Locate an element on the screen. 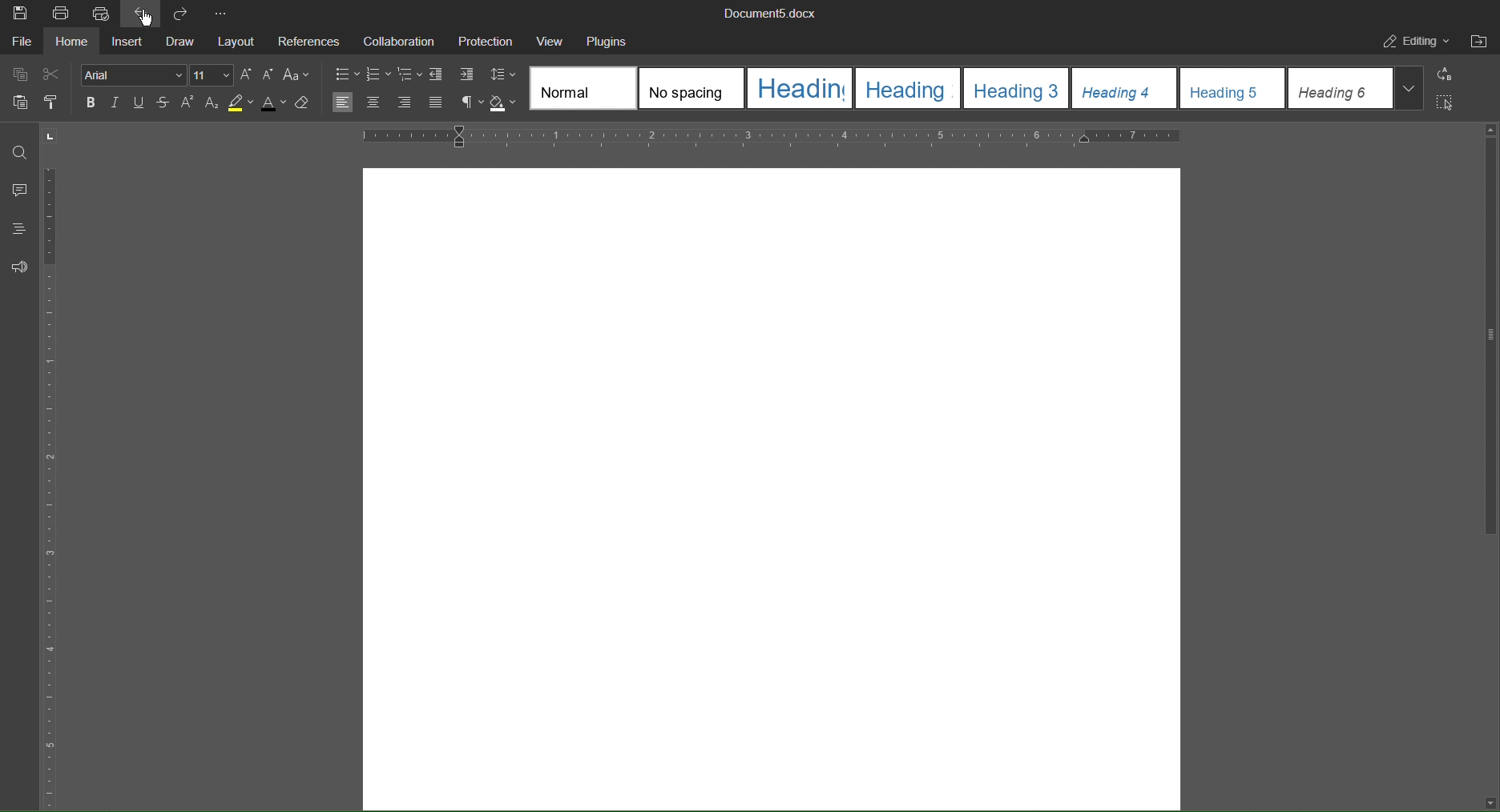 The height and width of the screenshot is (812, 1500). Decrease Indent is located at coordinates (438, 74).